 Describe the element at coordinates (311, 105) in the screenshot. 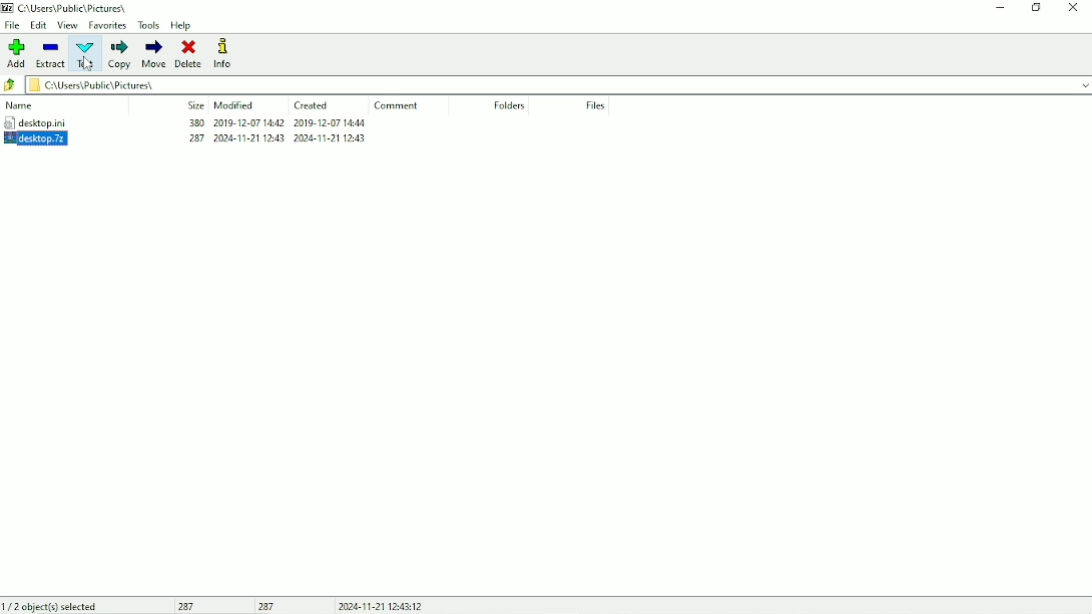

I see `Created` at that location.